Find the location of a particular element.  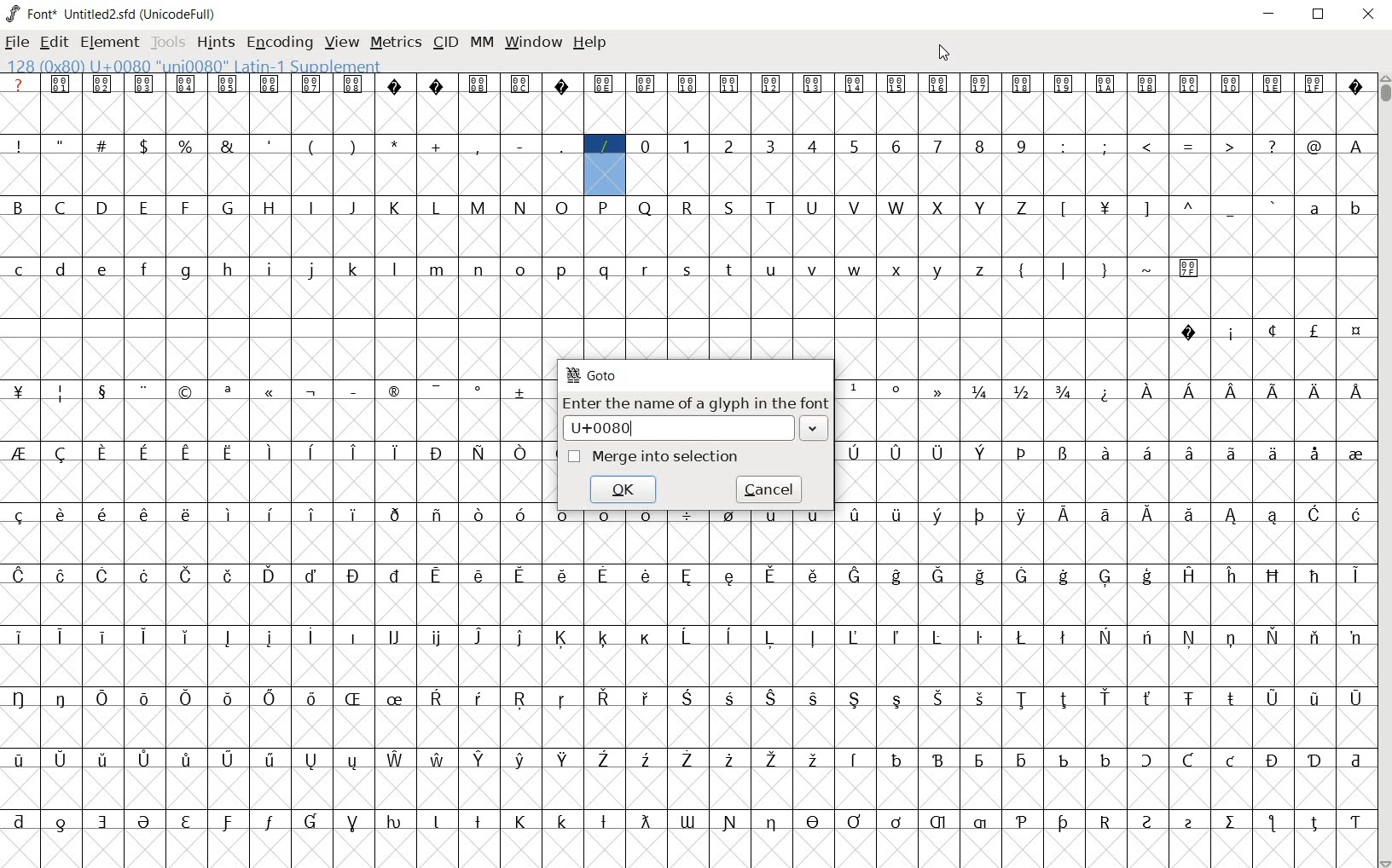

glyph is located at coordinates (351, 762).